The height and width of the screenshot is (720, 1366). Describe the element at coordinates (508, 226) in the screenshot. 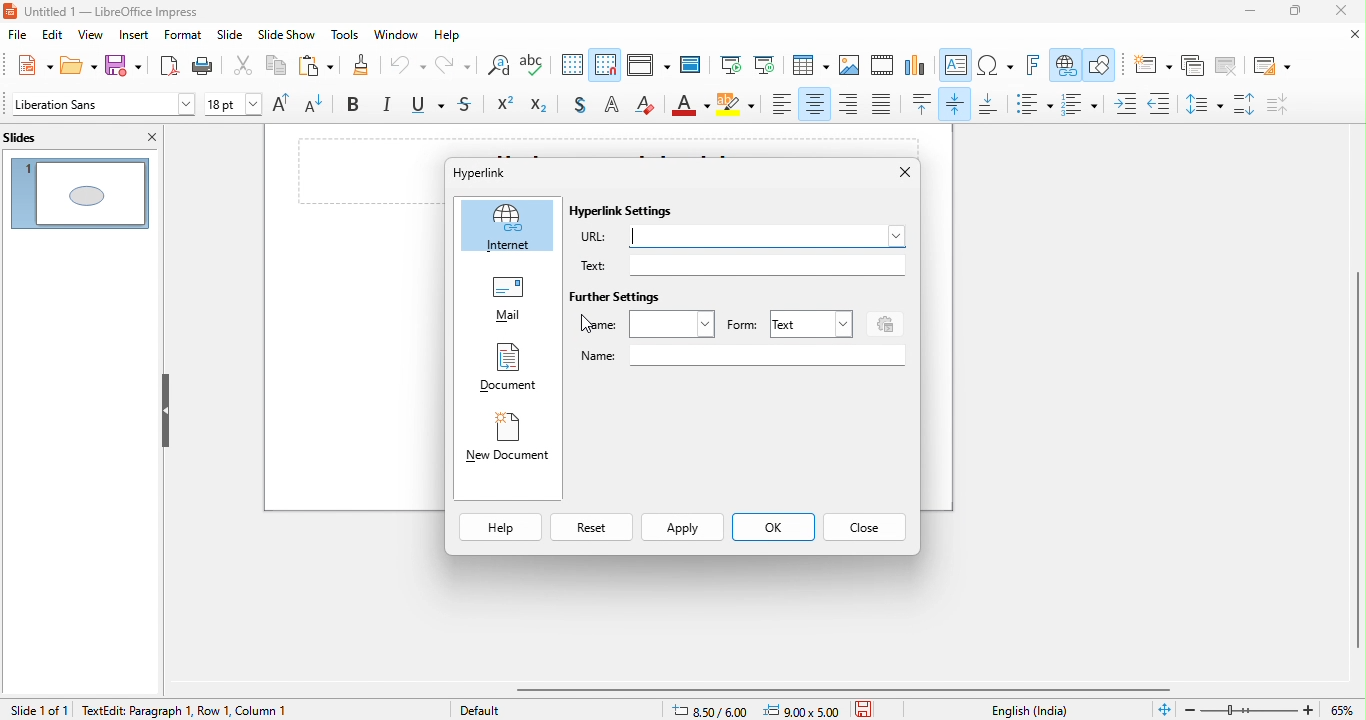

I see `internet` at that location.